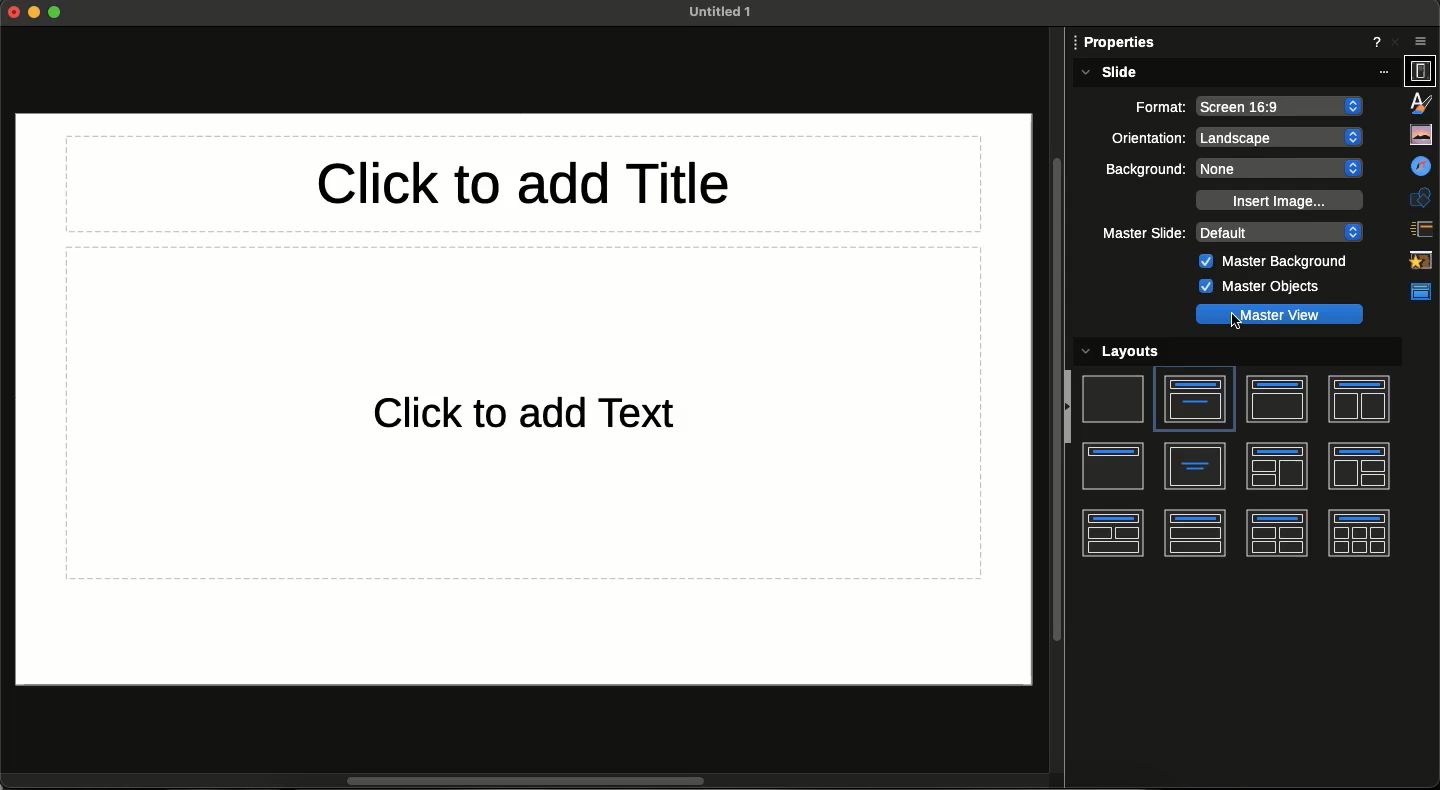 The width and height of the screenshot is (1440, 790). Describe the element at coordinates (714, 11) in the screenshot. I see `File name` at that location.